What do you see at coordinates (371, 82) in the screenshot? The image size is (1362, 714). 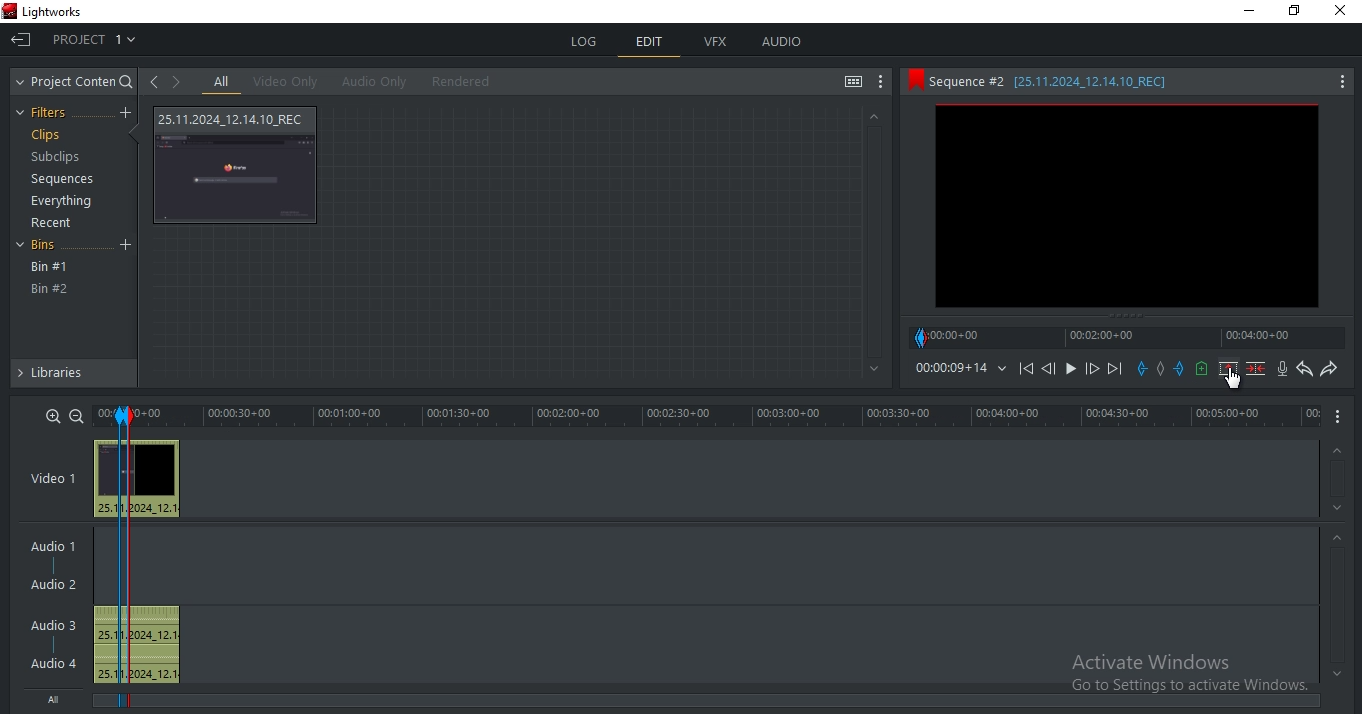 I see `audio only` at bounding box center [371, 82].